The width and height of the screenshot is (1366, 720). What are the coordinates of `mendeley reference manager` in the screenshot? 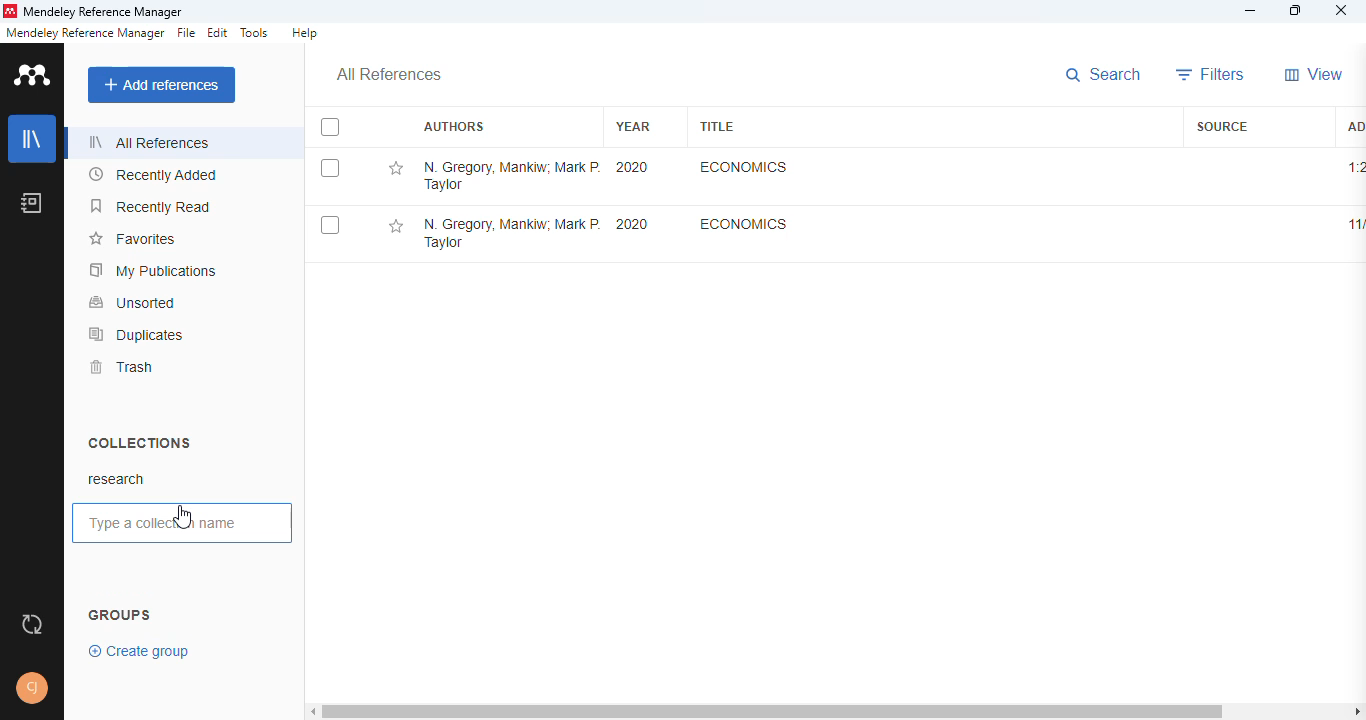 It's located at (103, 13).